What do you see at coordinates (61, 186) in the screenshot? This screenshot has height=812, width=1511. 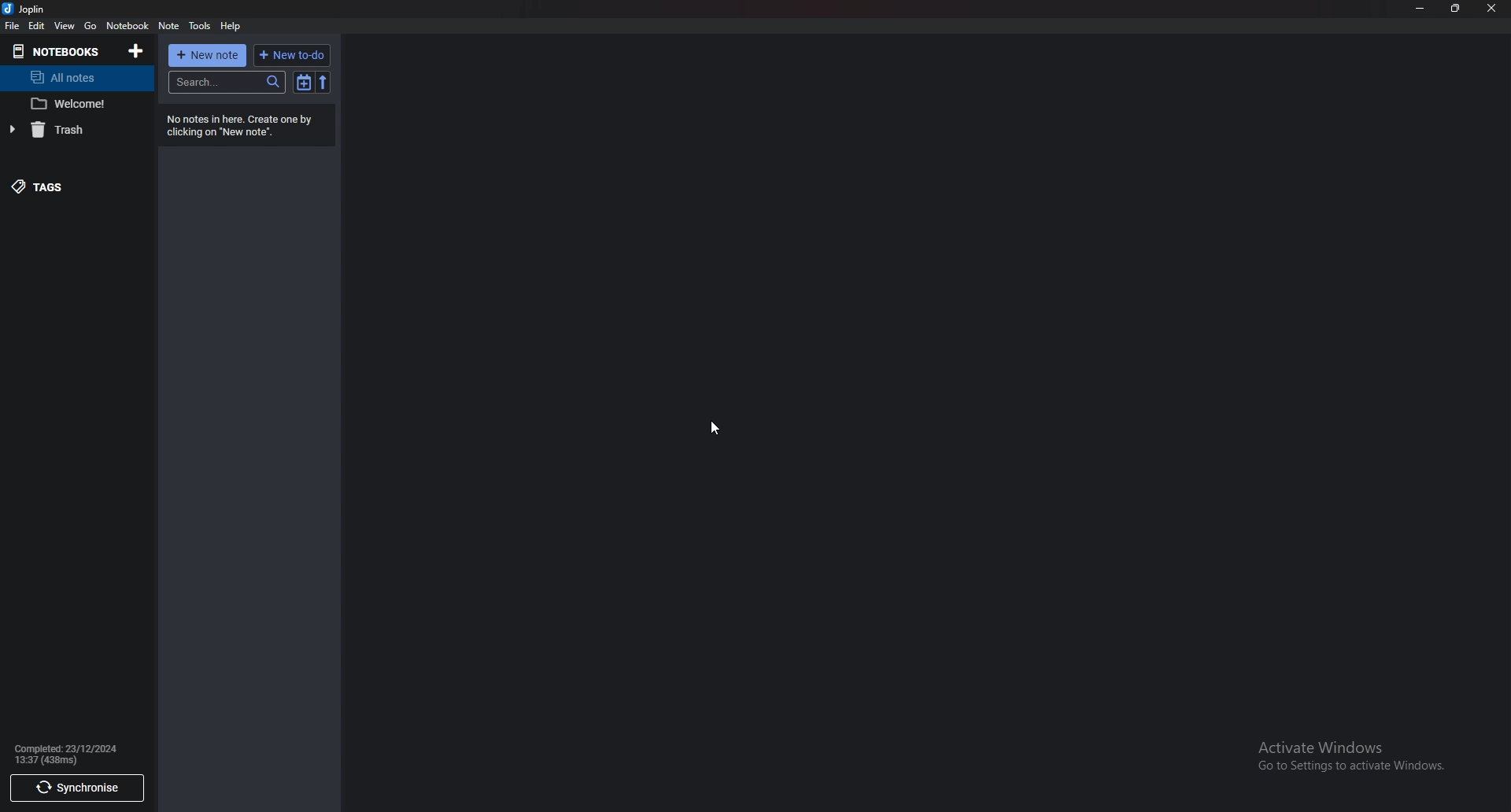 I see `Tags` at bounding box center [61, 186].